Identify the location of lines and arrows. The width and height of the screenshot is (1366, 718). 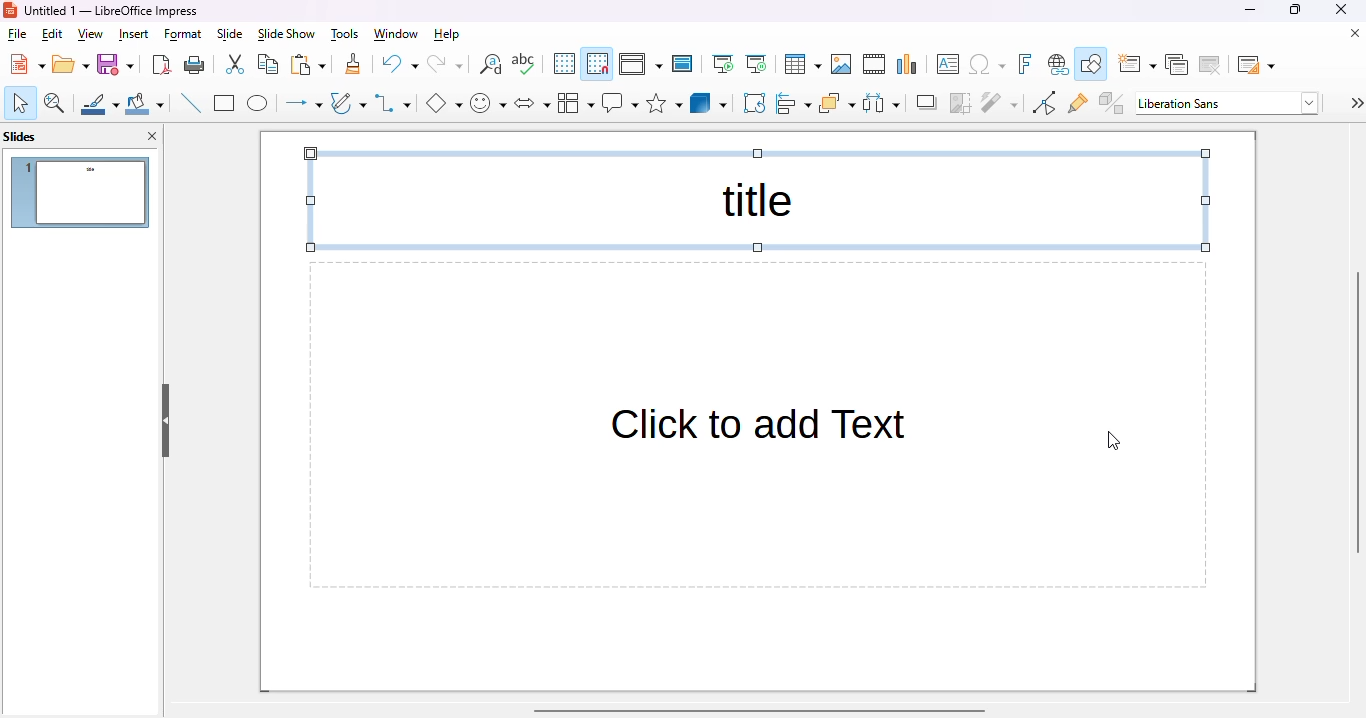
(302, 104).